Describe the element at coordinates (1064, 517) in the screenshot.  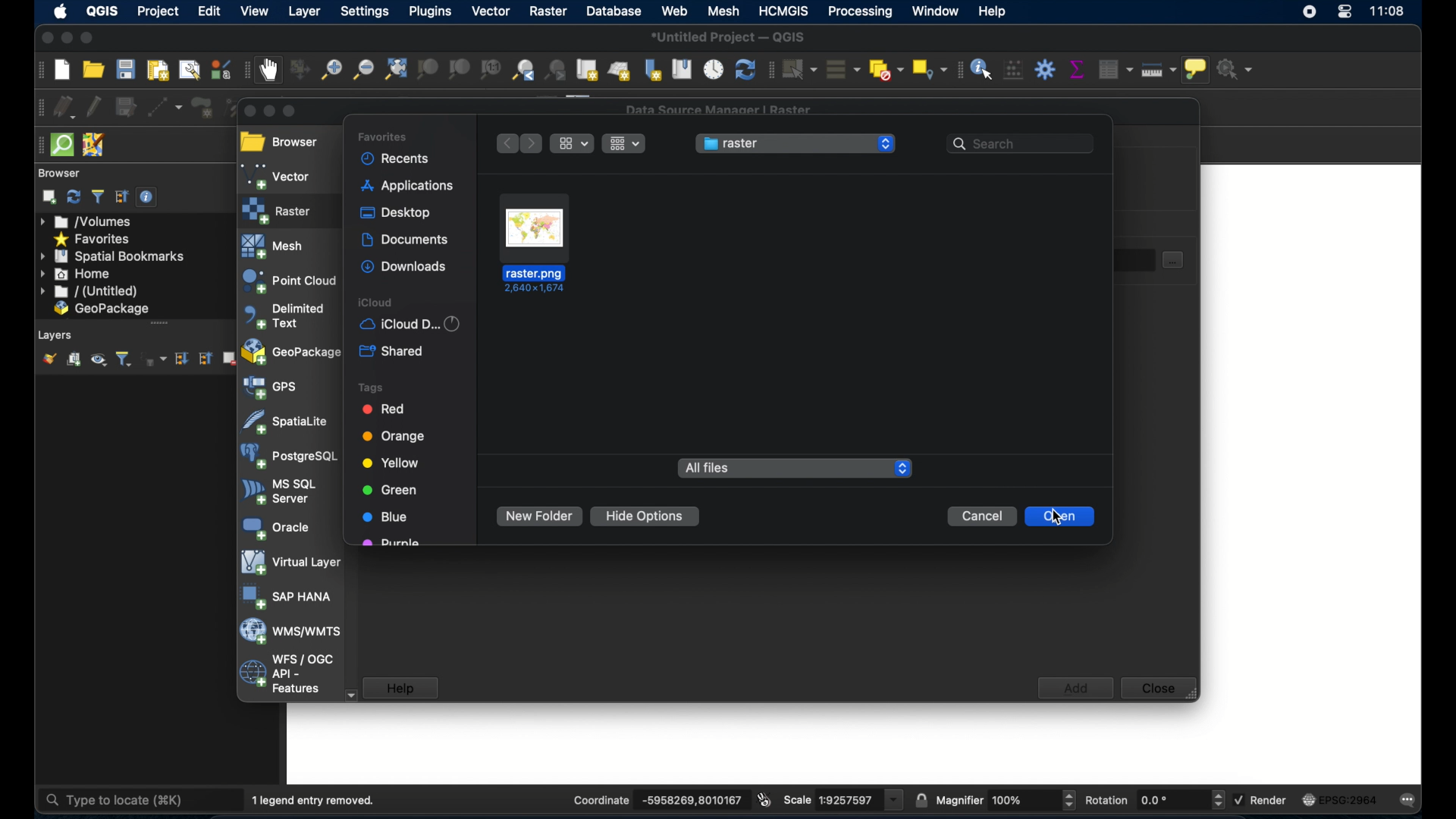
I see `open` at that location.